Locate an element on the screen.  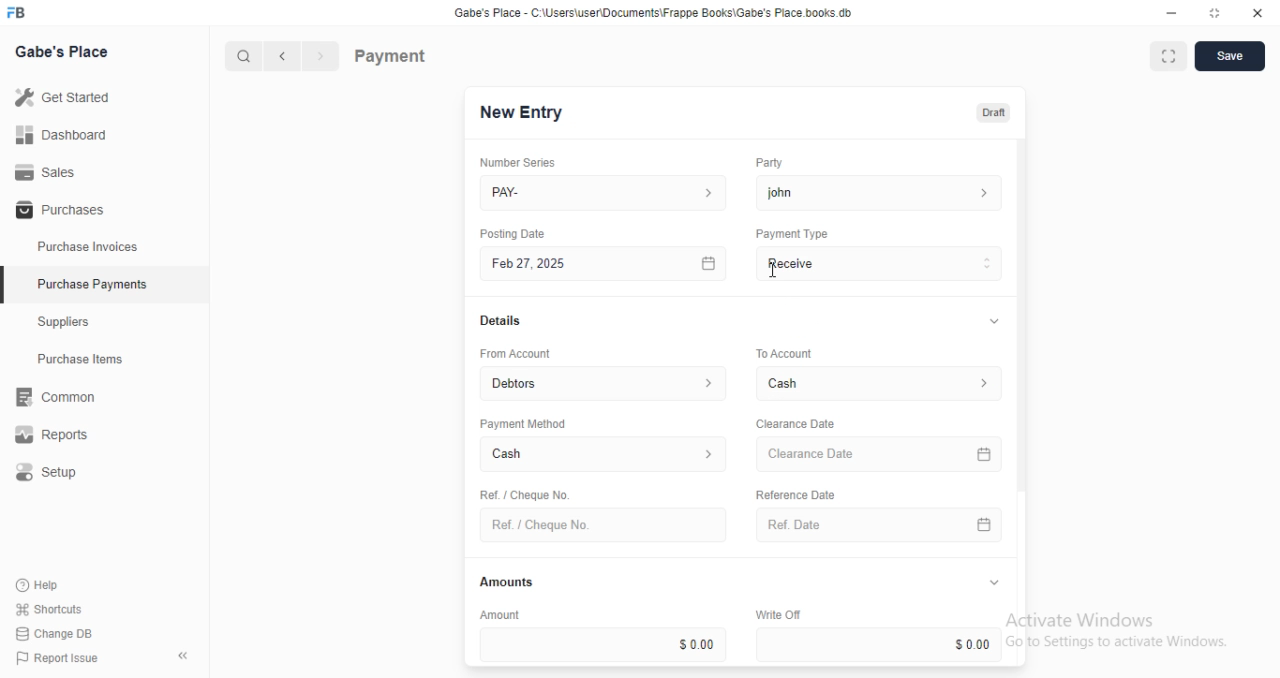
Report Issue is located at coordinates (52, 658).